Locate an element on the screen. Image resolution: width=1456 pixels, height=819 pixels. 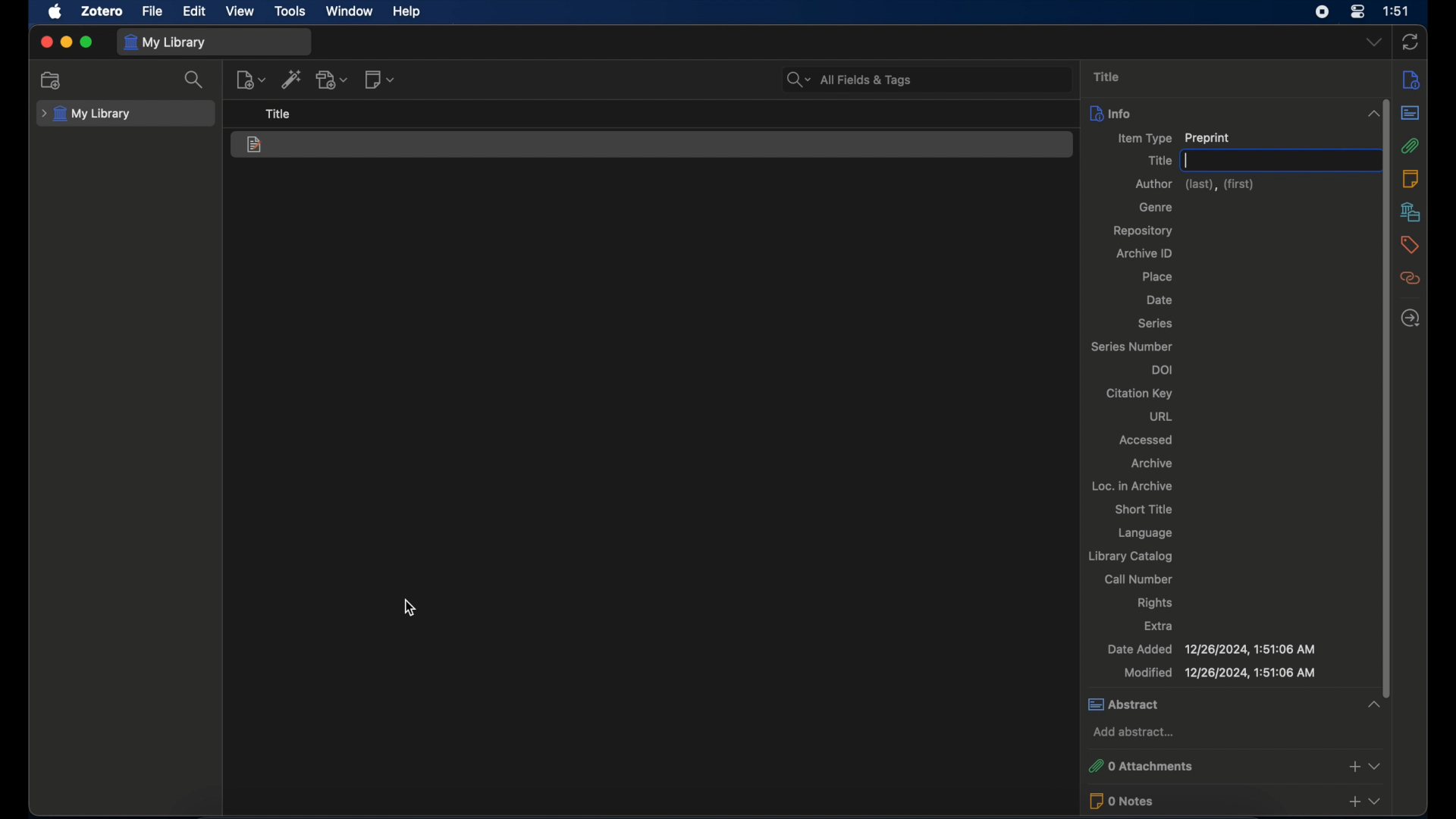
libraries is located at coordinates (1410, 212).